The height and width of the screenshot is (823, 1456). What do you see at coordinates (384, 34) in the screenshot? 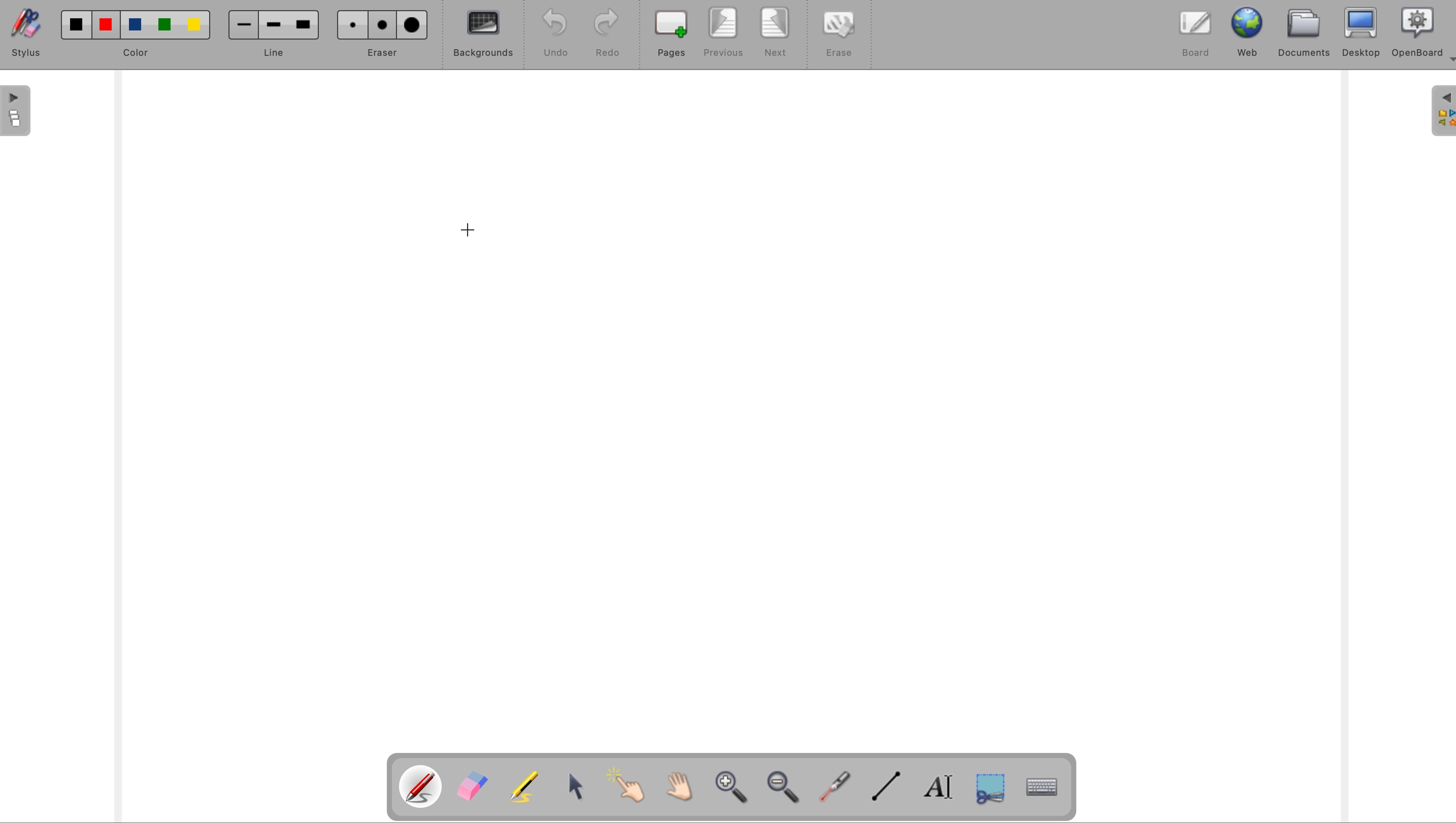
I see `eraser` at bounding box center [384, 34].